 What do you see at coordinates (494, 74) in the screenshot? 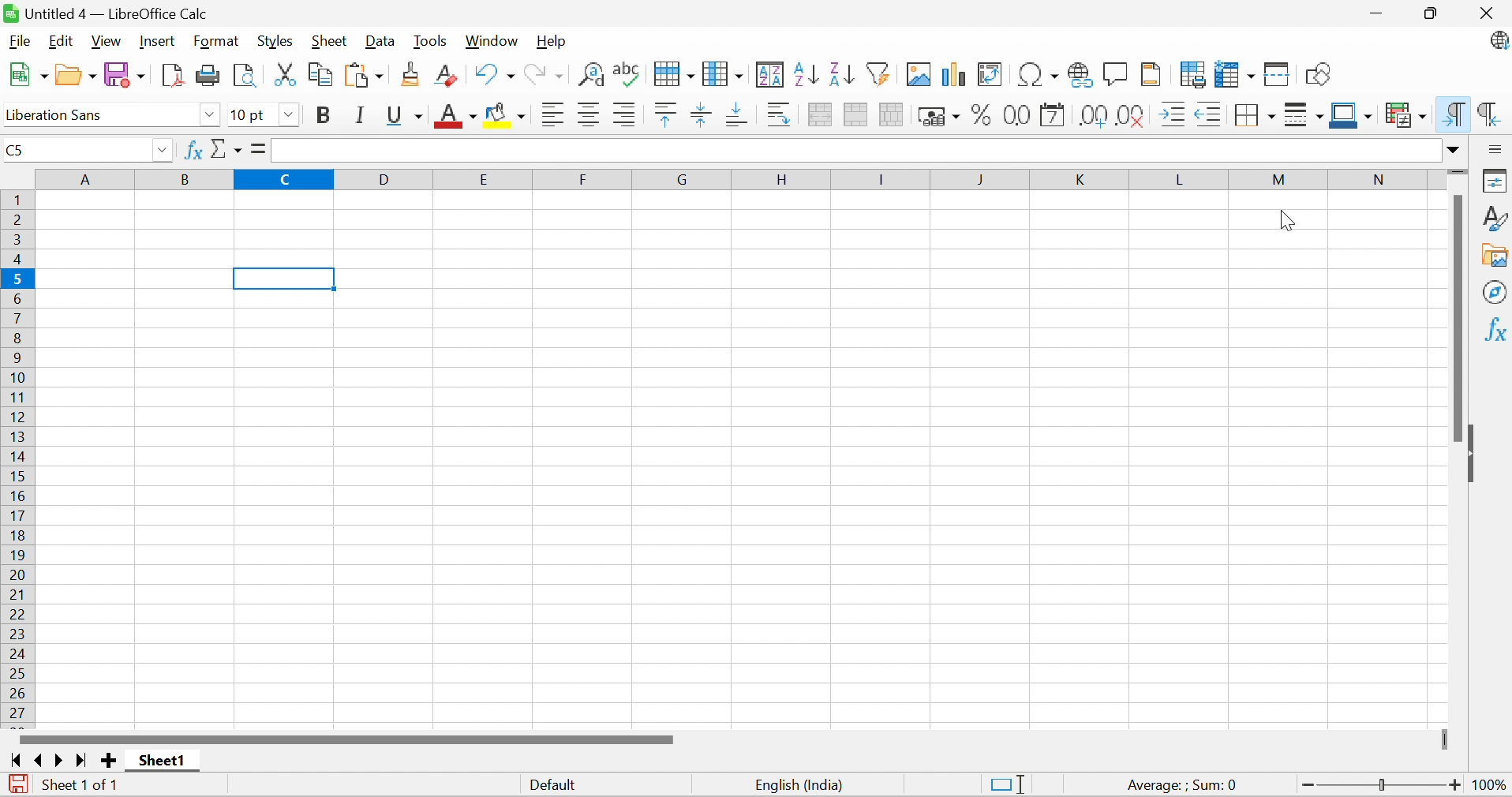
I see `Undo` at bounding box center [494, 74].